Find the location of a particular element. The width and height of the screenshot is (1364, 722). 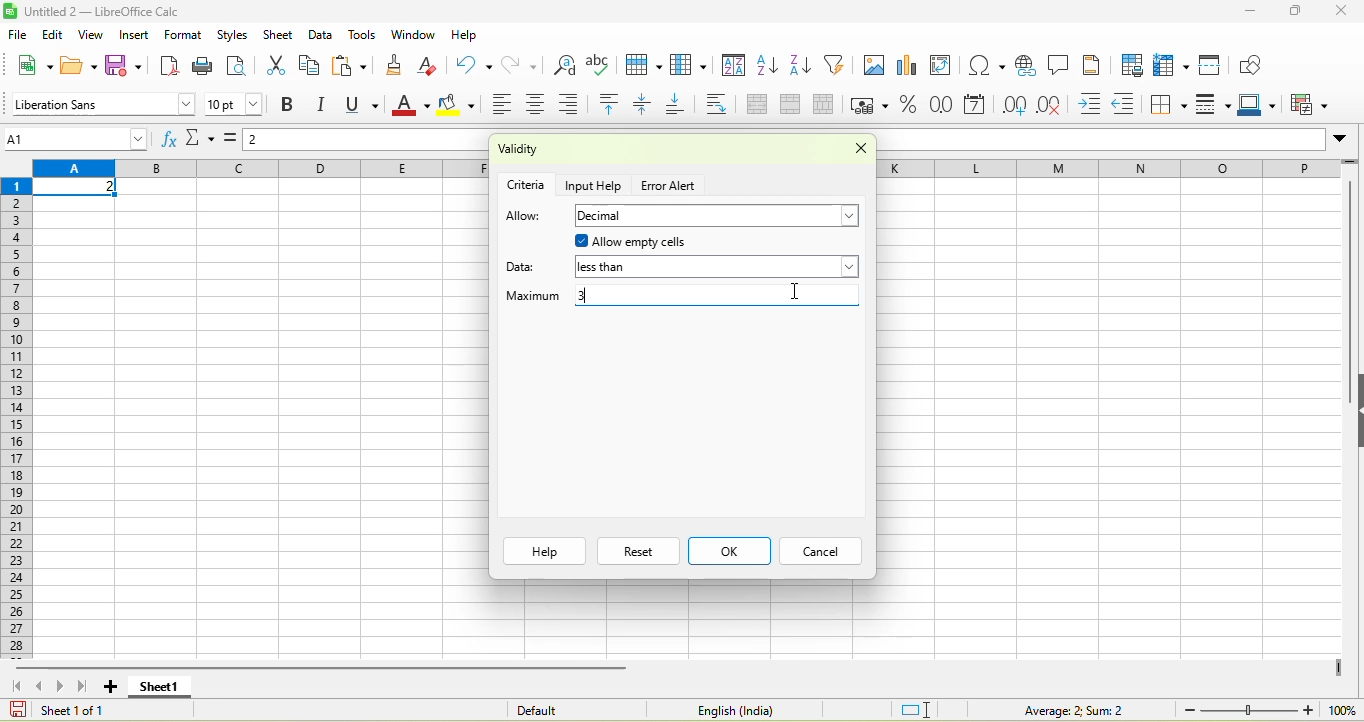

zoom is located at coordinates (1249, 709).